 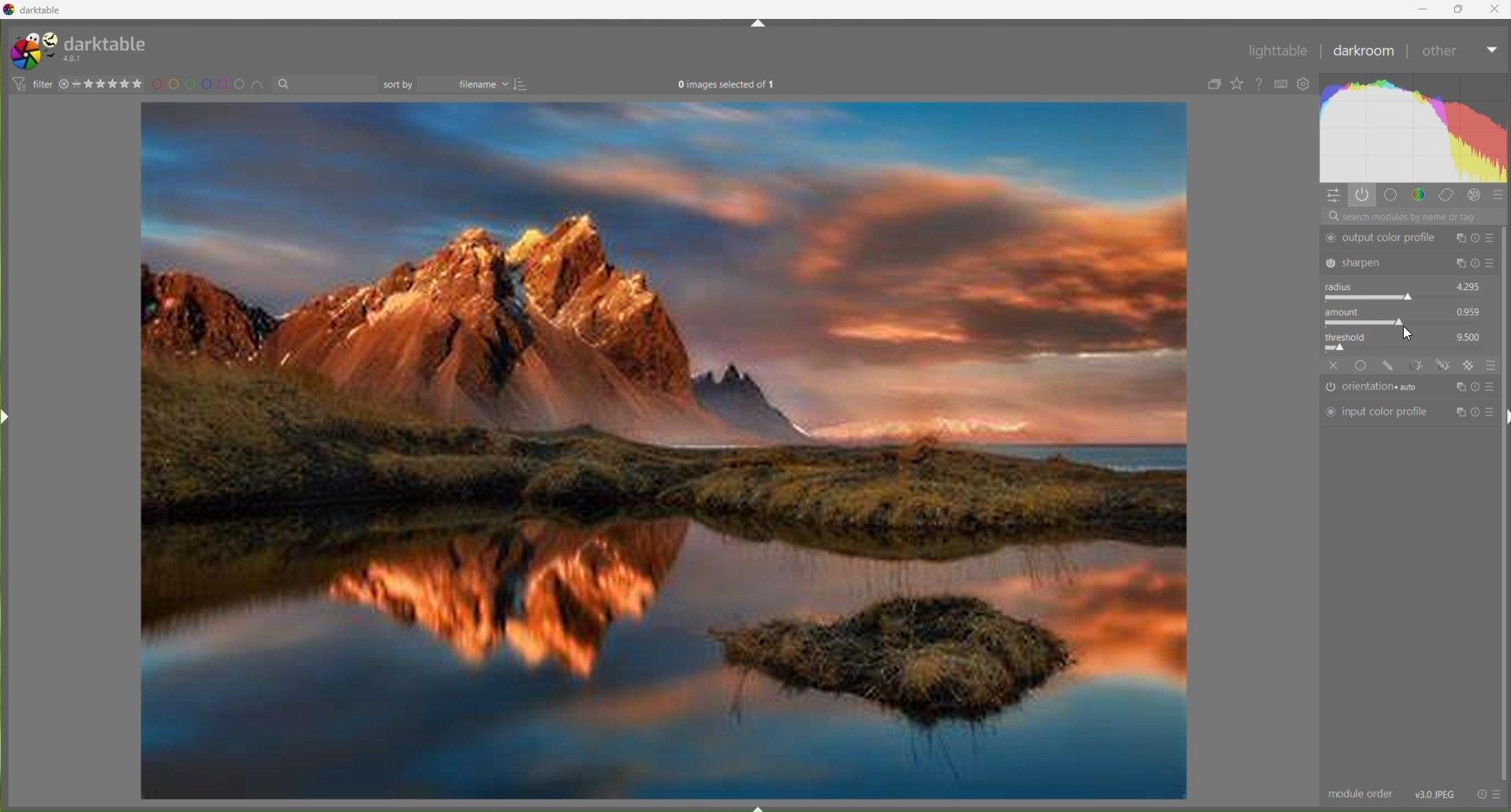 What do you see at coordinates (1499, 197) in the screenshot?
I see `Presets ` at bounding box center [1499, 197].